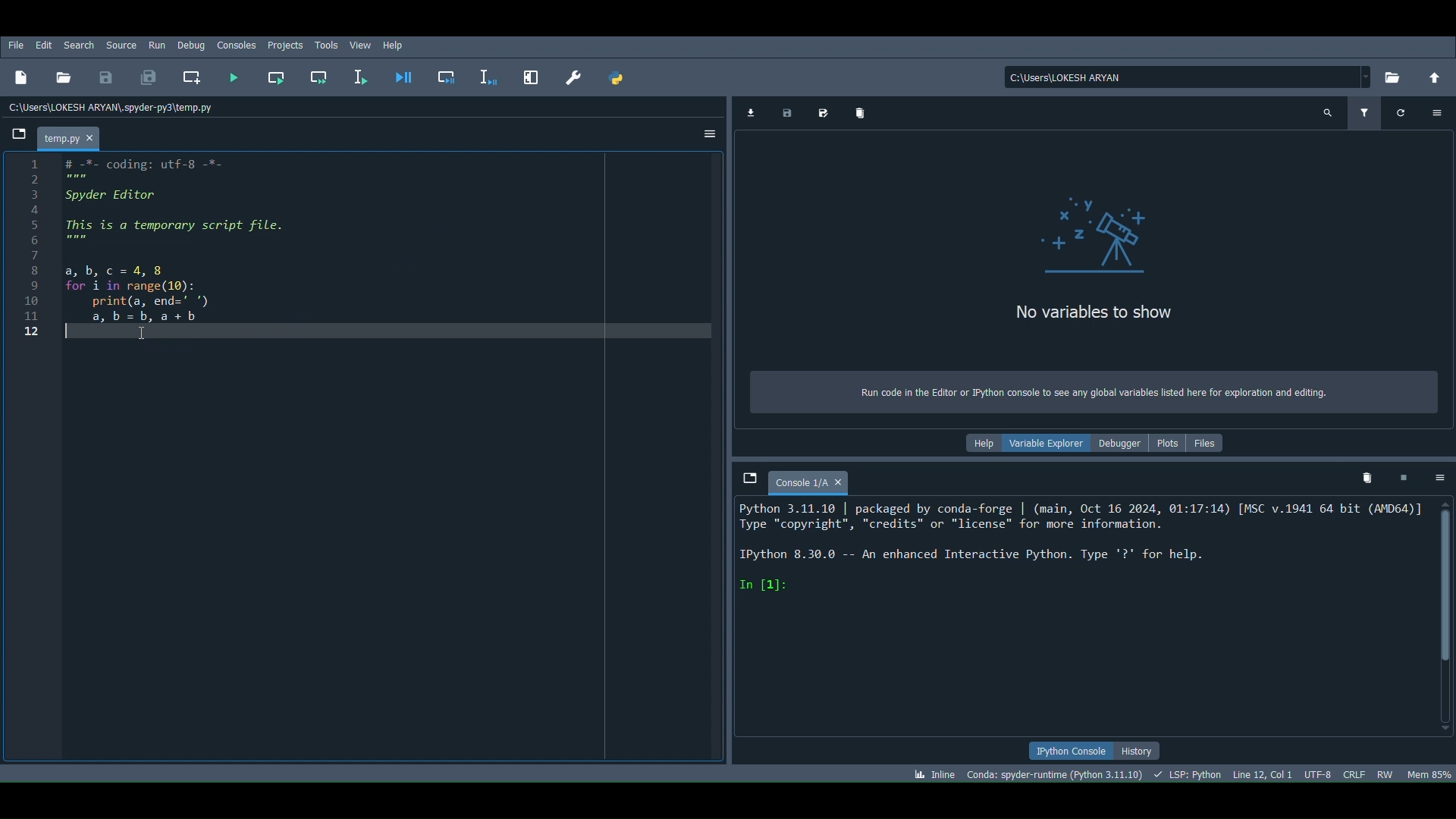 This screenshot has width=1456, height=819. I want to click on Encoding, so click(1319, 772).